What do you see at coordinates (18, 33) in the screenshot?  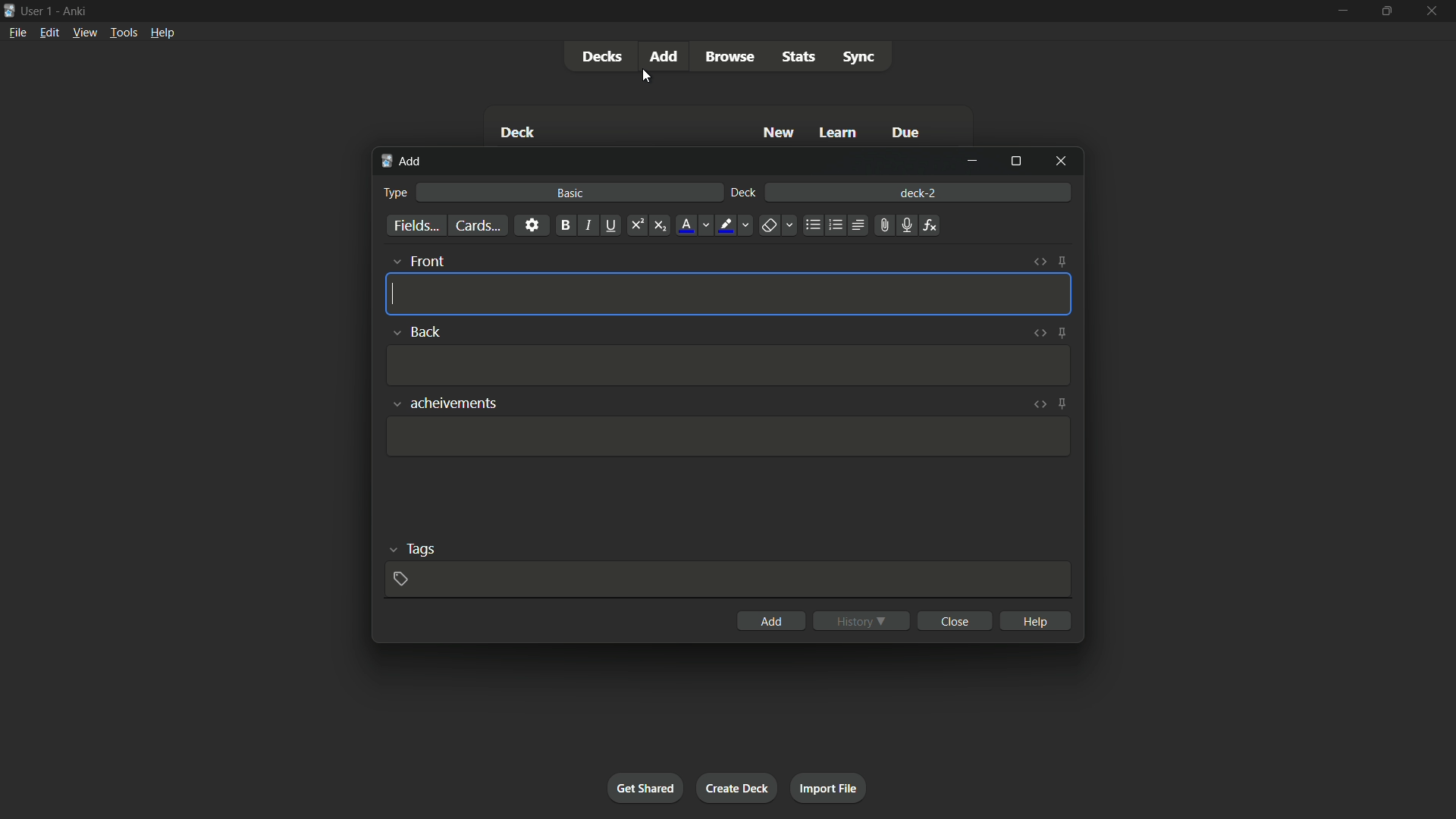 I see `file menu` at bounding box center [18, 33].